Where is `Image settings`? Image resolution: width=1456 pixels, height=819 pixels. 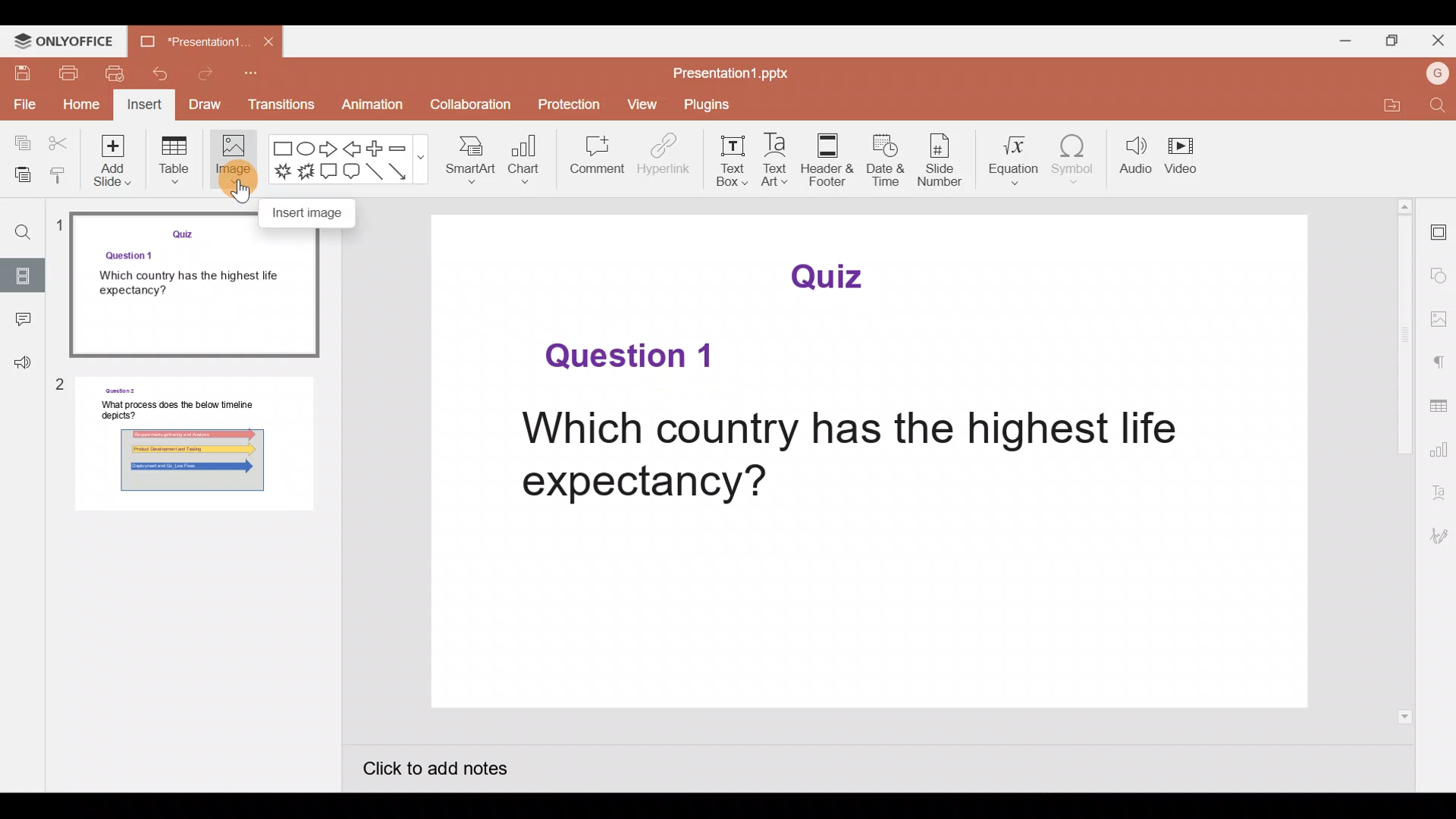
Image settings is located at coordinates (1441, 321).